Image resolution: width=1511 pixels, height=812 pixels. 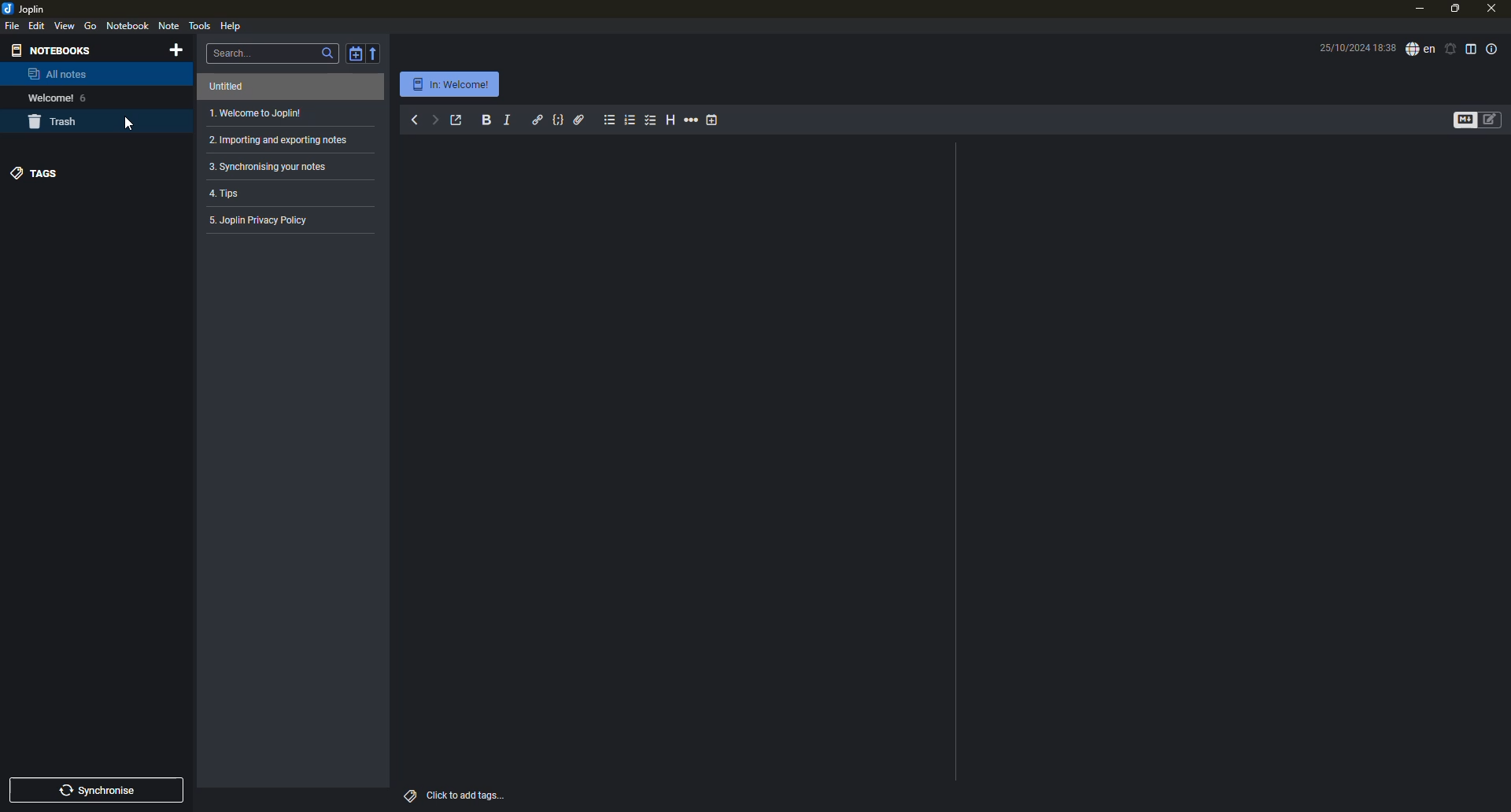 I want to click on attach file, so click(x=581, y=118).